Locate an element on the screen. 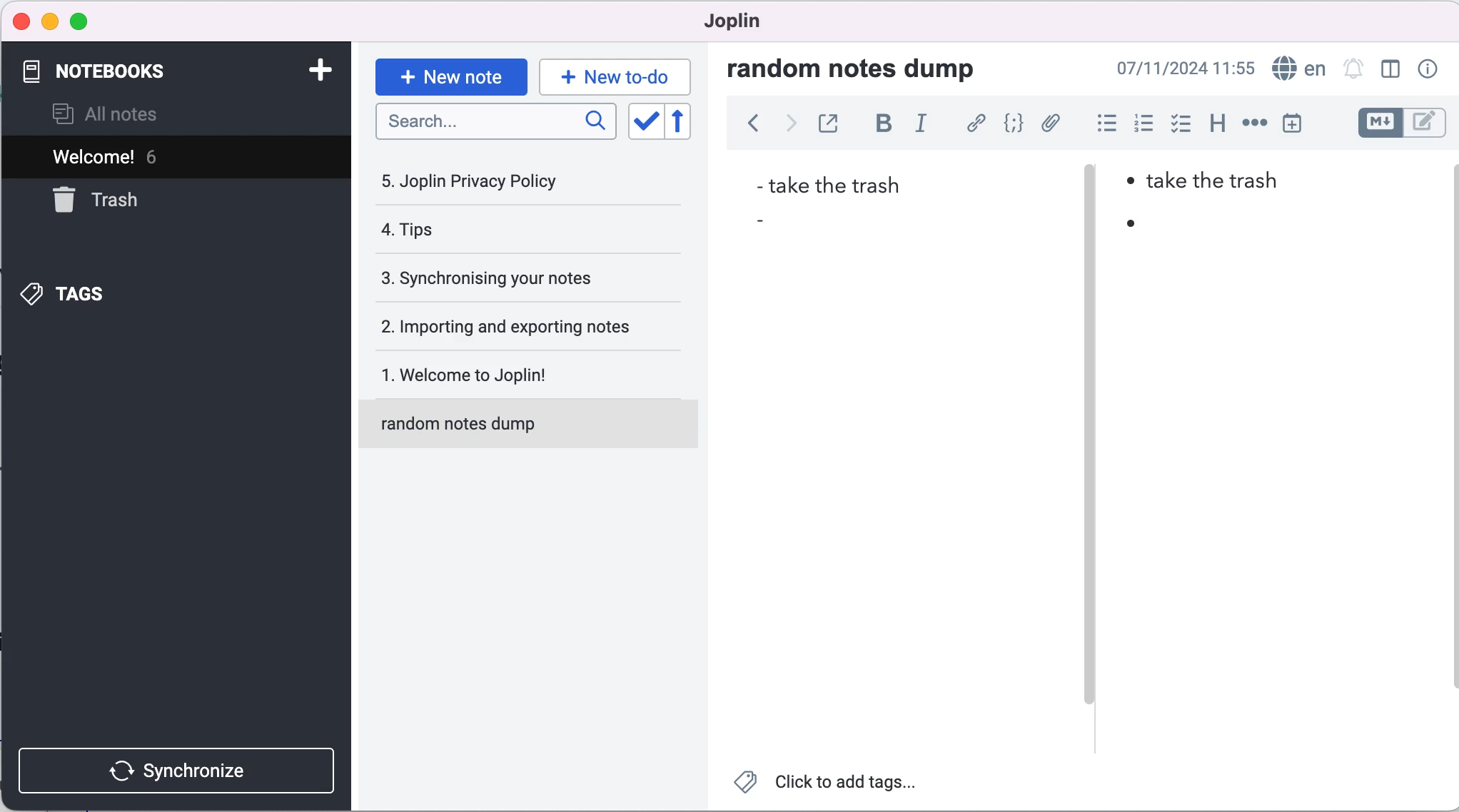 This screenshot has height=812, width=1459. tips is located at coordinates (493, 233).